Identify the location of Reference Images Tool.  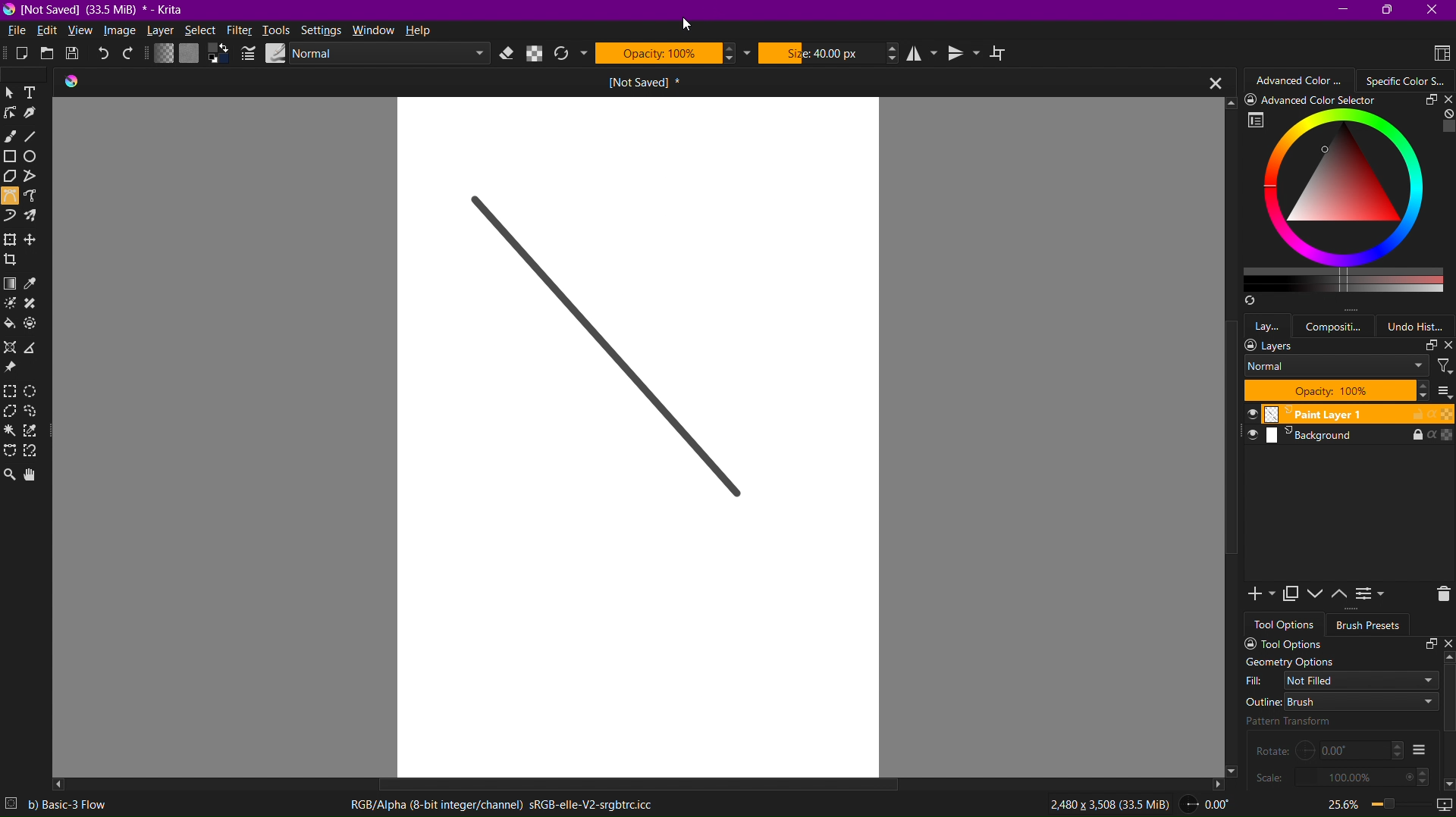
(13, 369).